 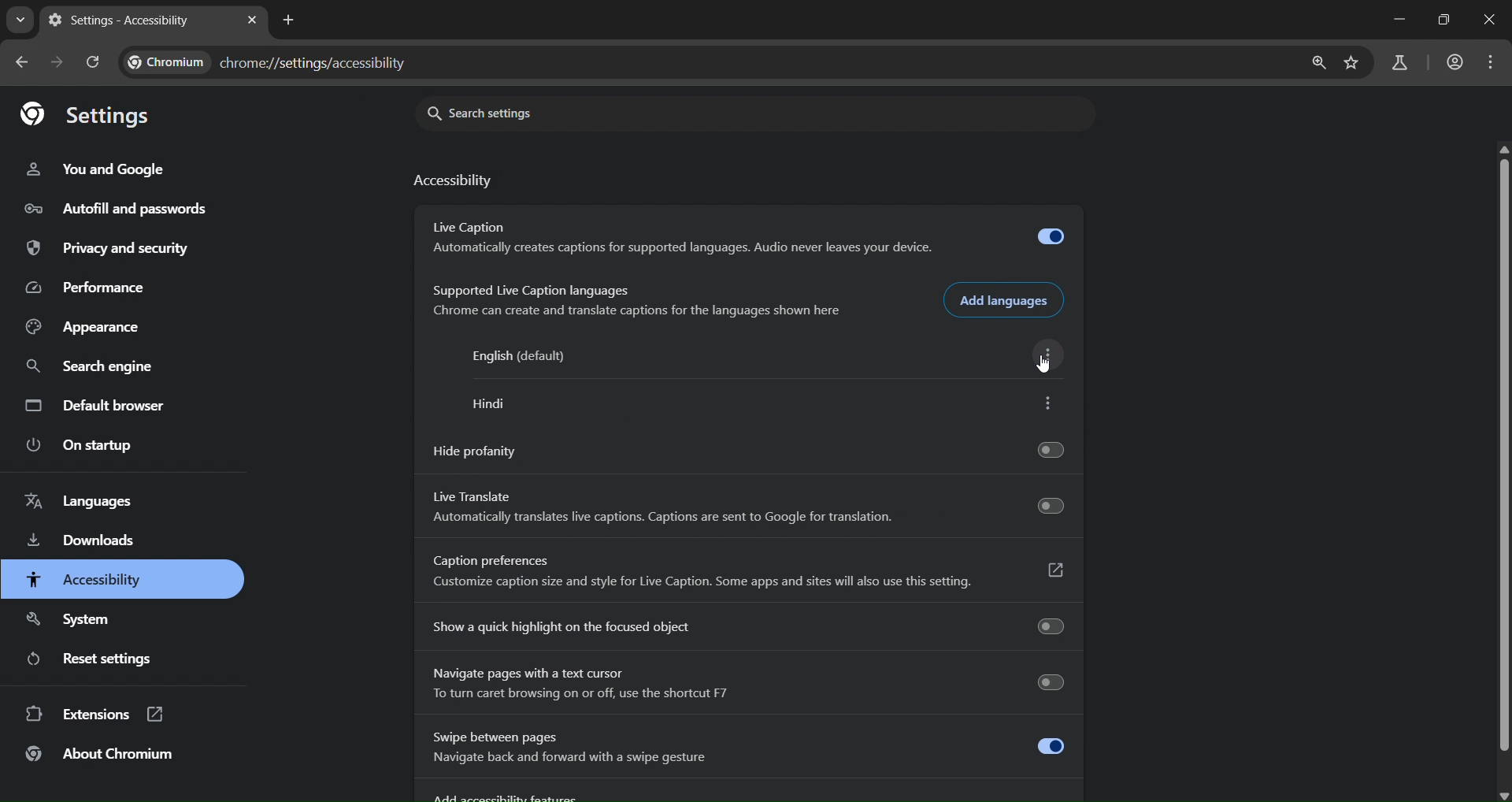 What do you see at coordinates (98, 408) in the screenshot?
I see `default browser` at bounding box center [98, 408].